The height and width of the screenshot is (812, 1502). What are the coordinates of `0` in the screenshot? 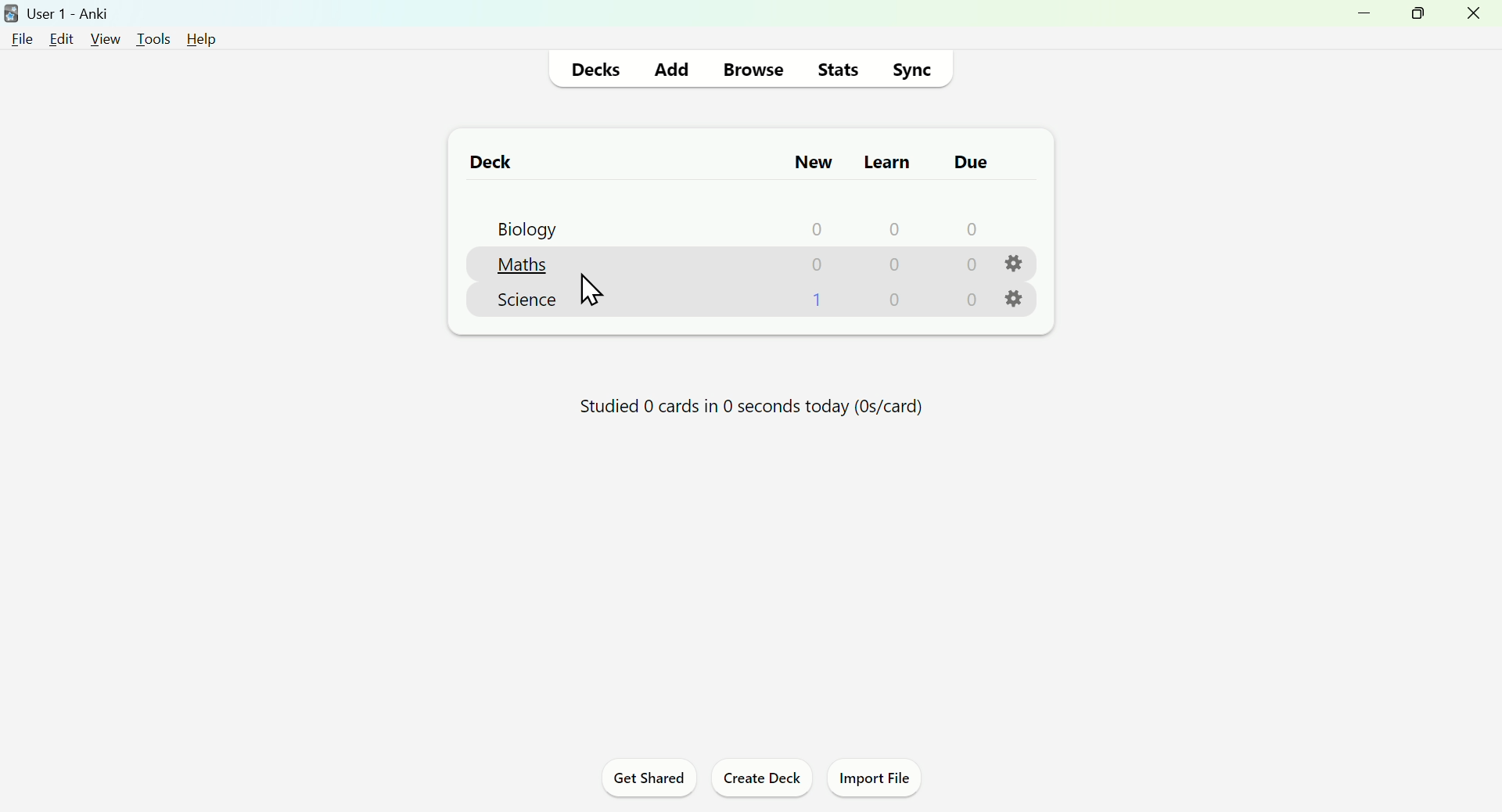 It's located at (897, 266).